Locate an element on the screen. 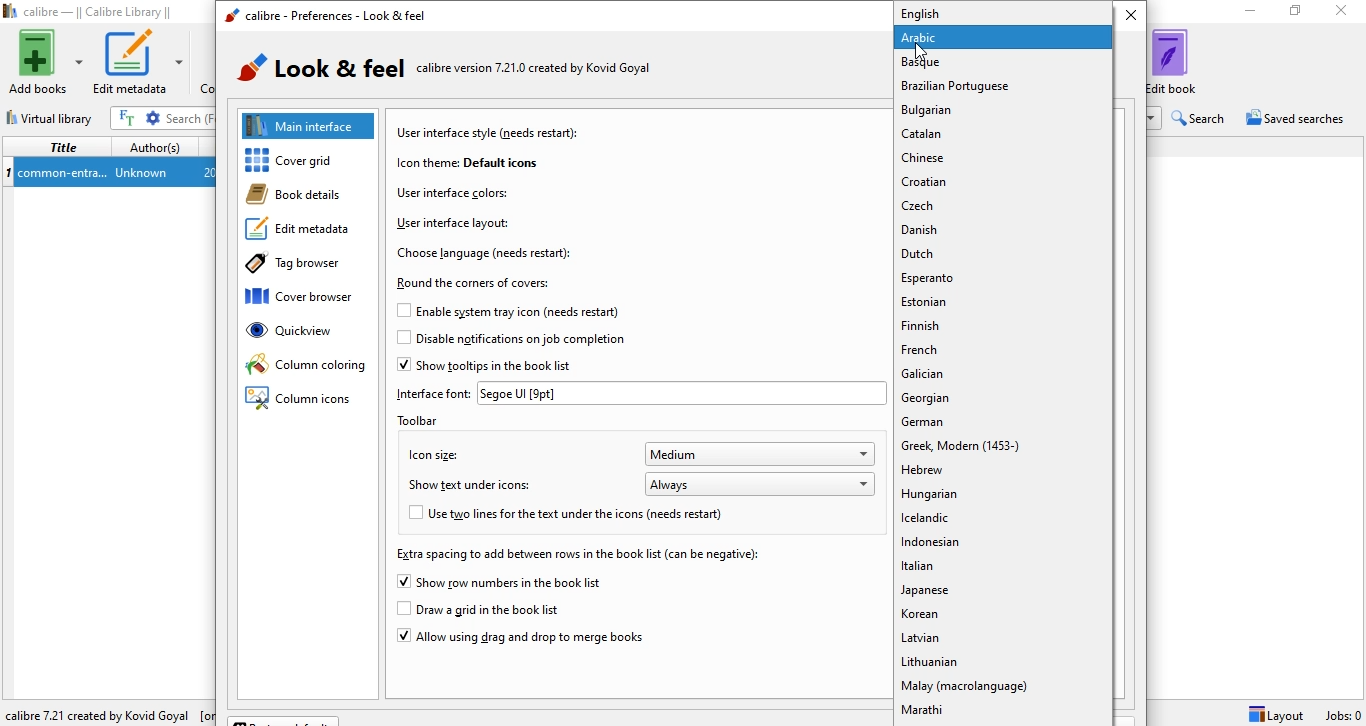  french is located at coordinates (1002, 350).